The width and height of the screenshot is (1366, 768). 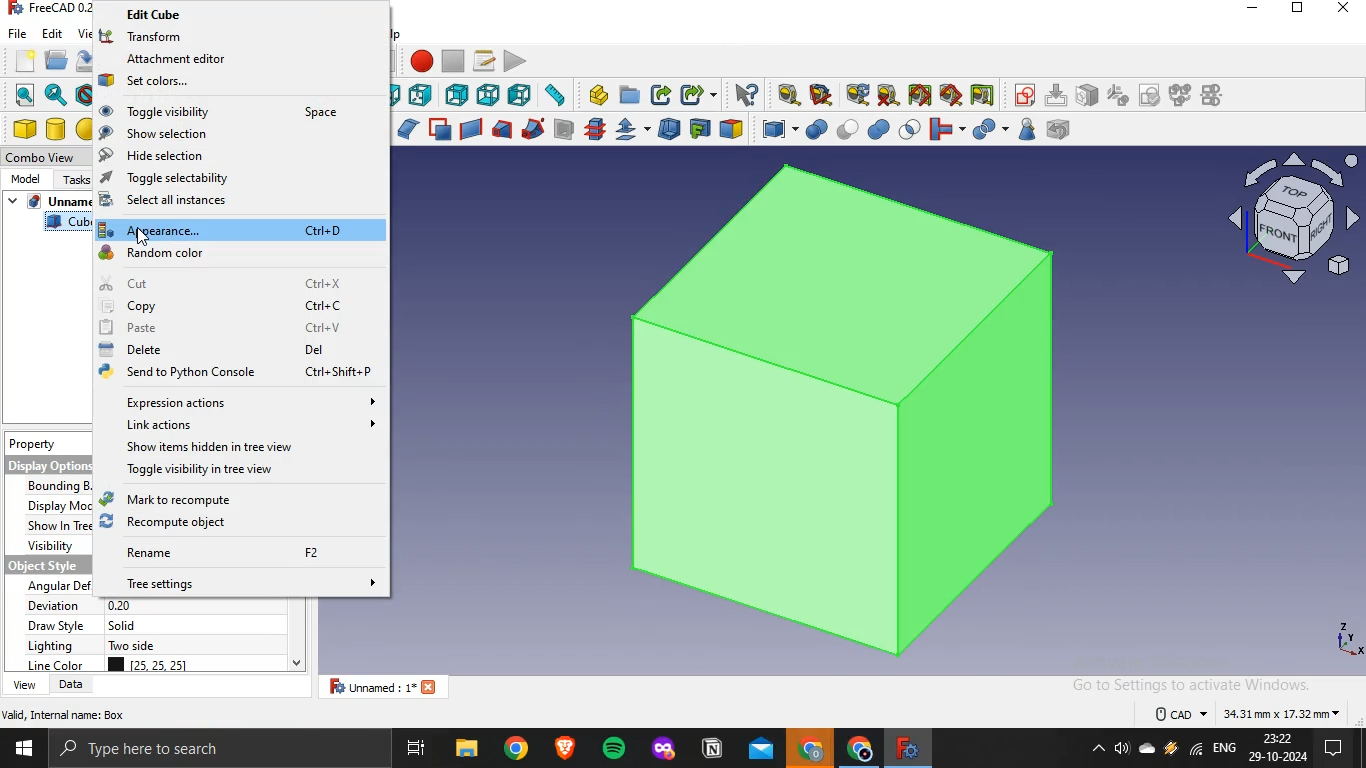 I want to click on google chrome, so click(x=516, y=749).